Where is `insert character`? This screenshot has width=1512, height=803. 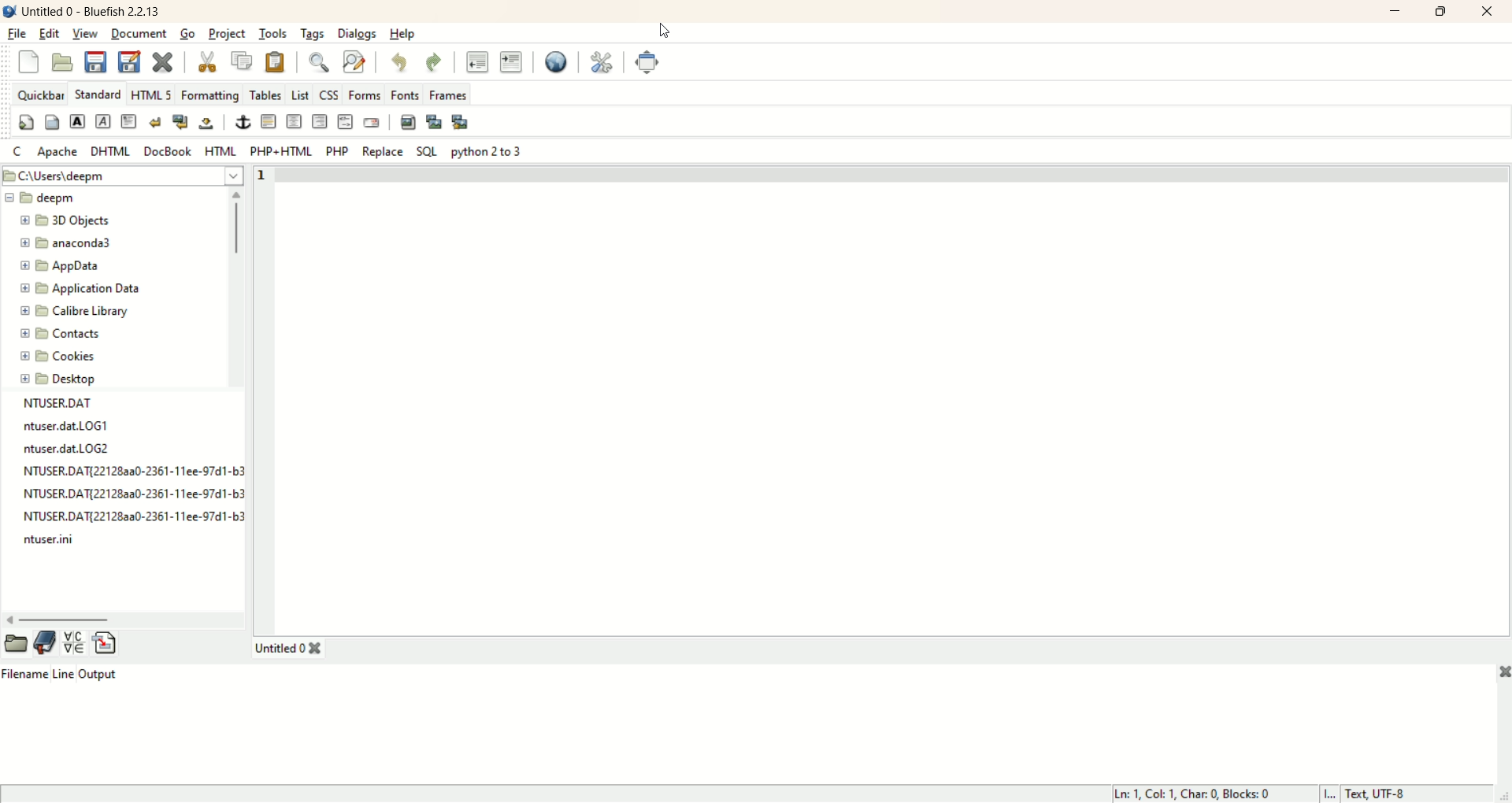
insert character is located at coordinates (73, 642).